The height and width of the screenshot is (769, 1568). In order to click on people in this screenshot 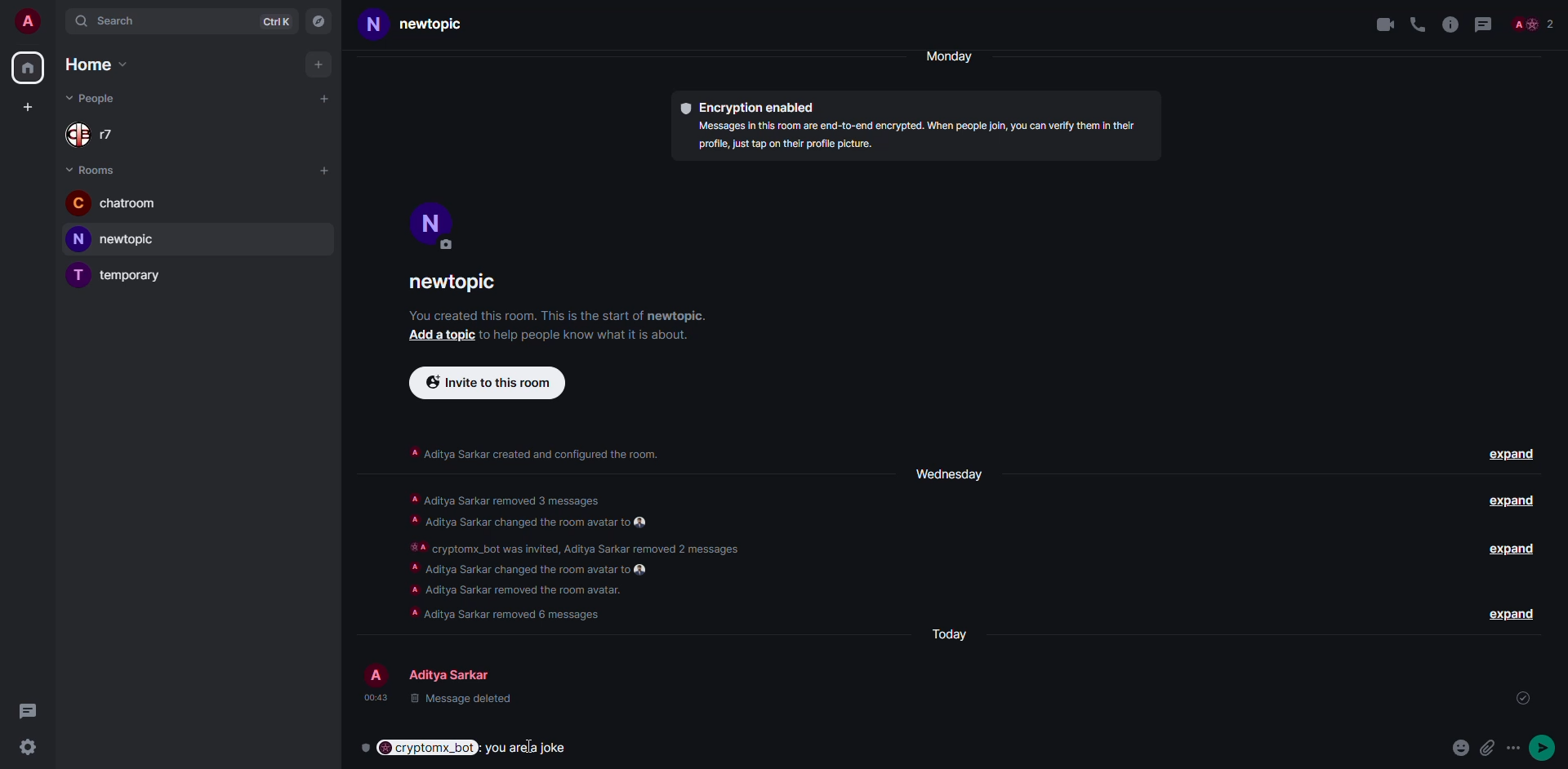, I will do `click(1536, 24)`.